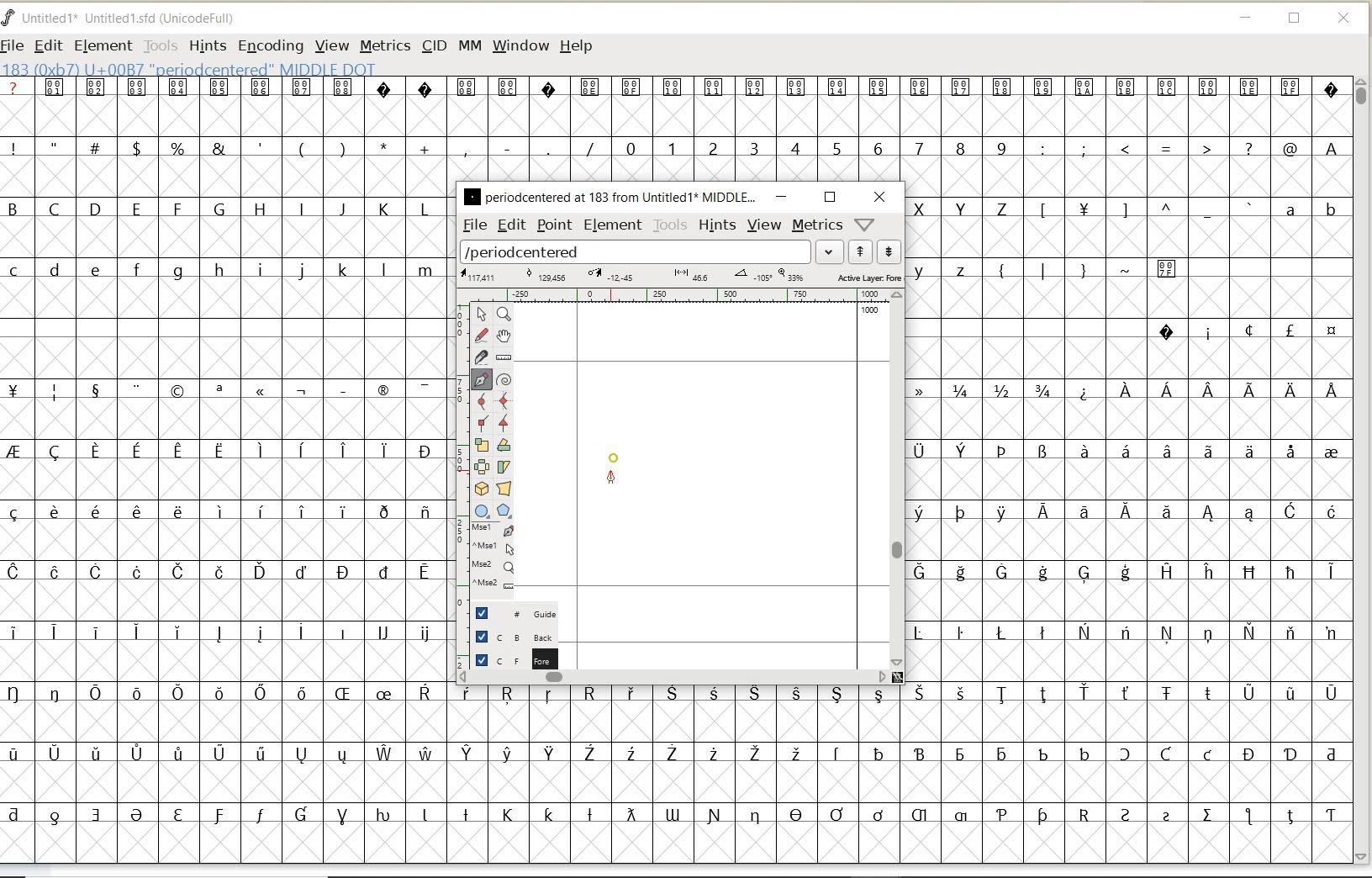  Describe the element at coordinates (482, 378) in the screenshot. I see `add a point, then drag out its control points` at that location.